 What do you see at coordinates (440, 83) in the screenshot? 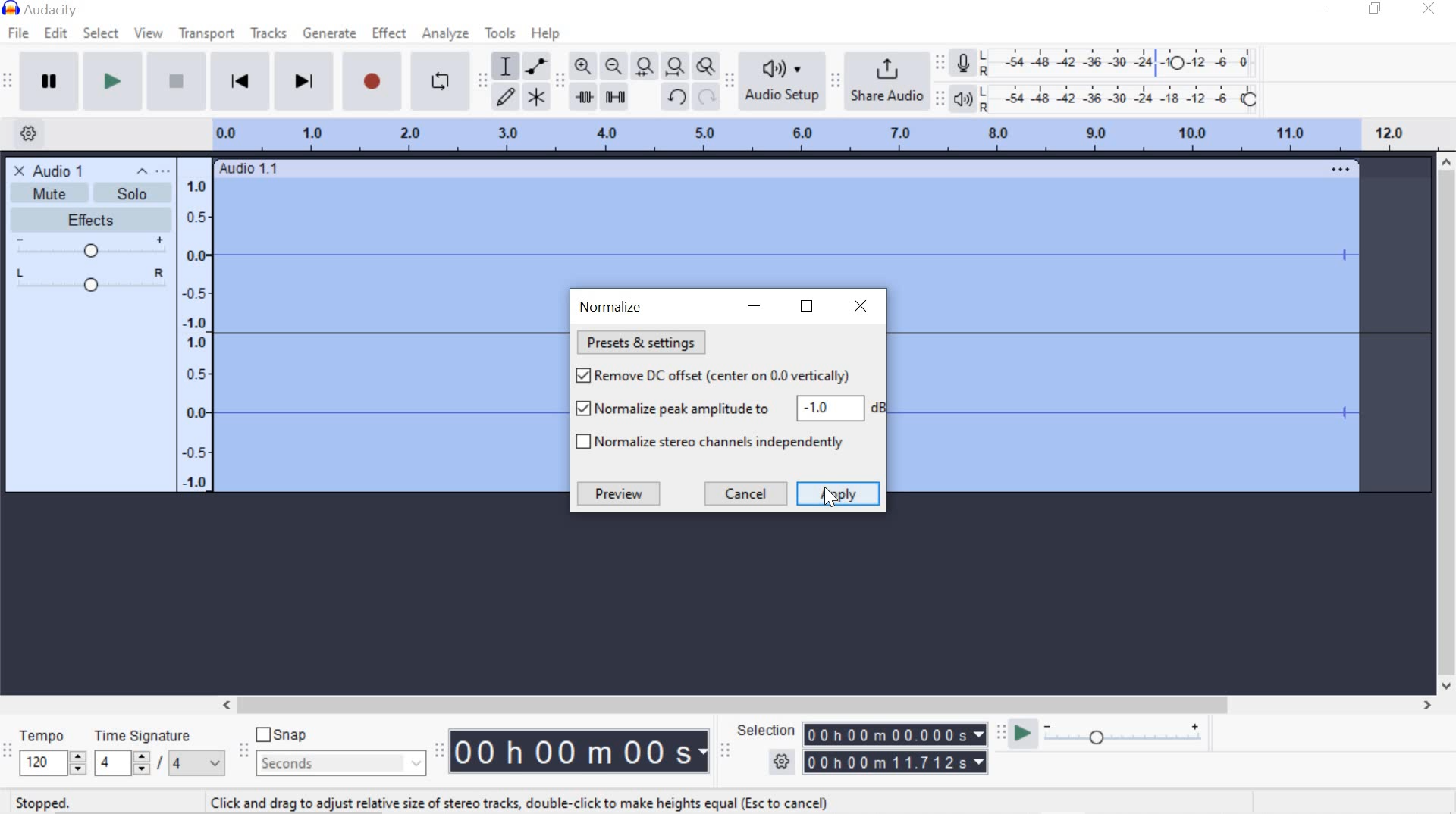
I see `Enable Looping` at bounding box center [440, 83].